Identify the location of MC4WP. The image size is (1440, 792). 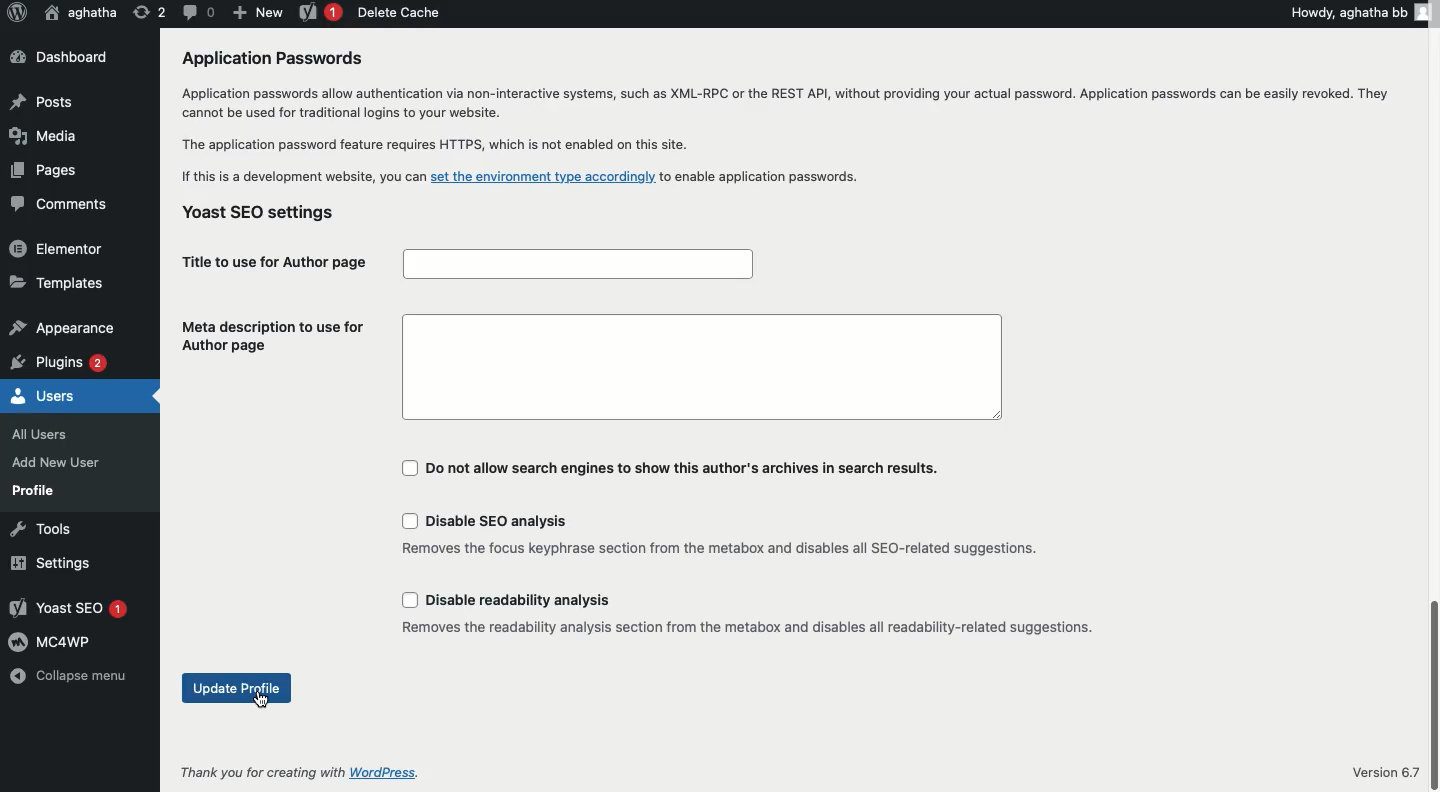
(54, 640).